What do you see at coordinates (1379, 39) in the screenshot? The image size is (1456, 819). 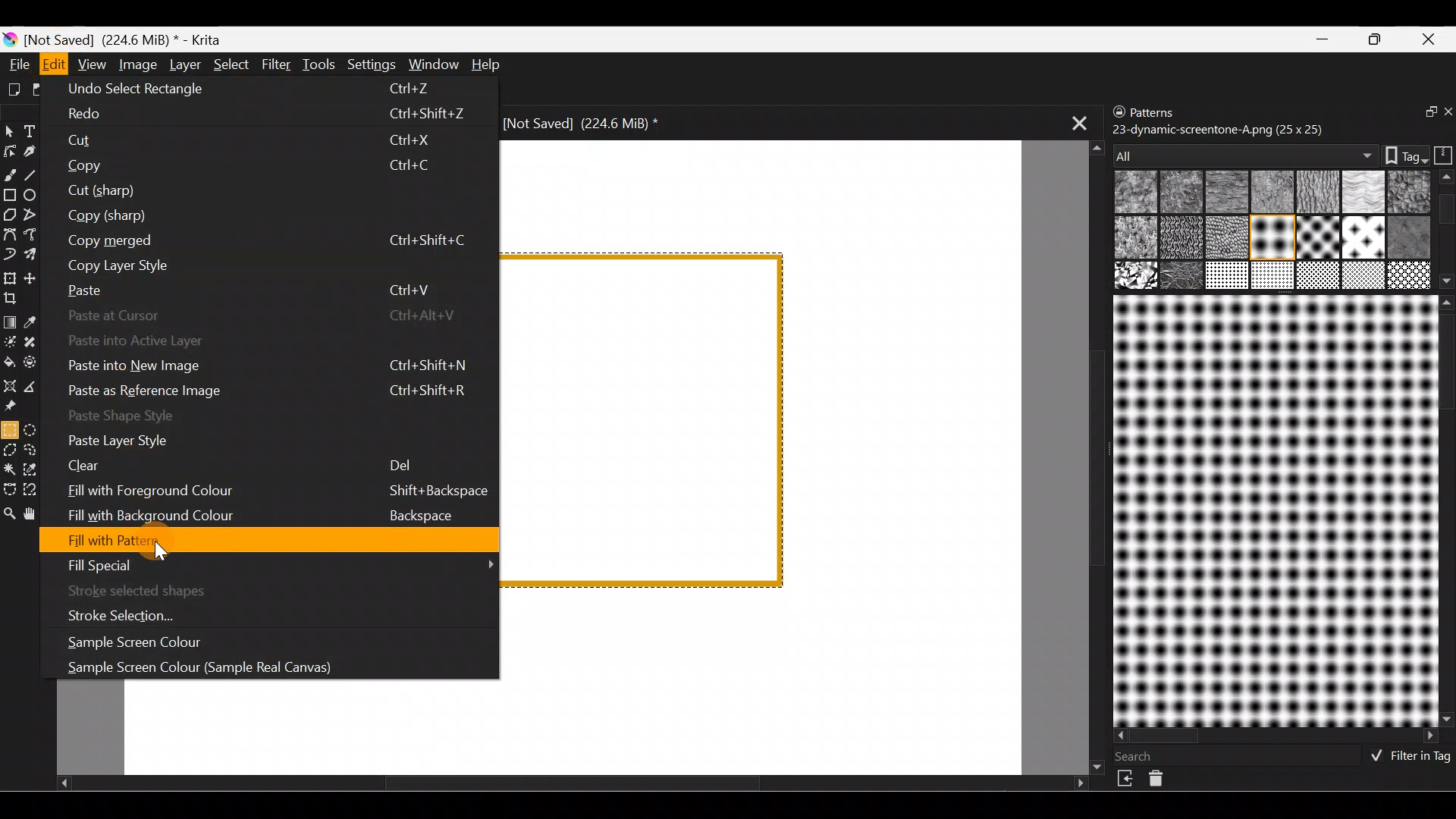 I see `Maximize` at bounding box center [1379, 39].